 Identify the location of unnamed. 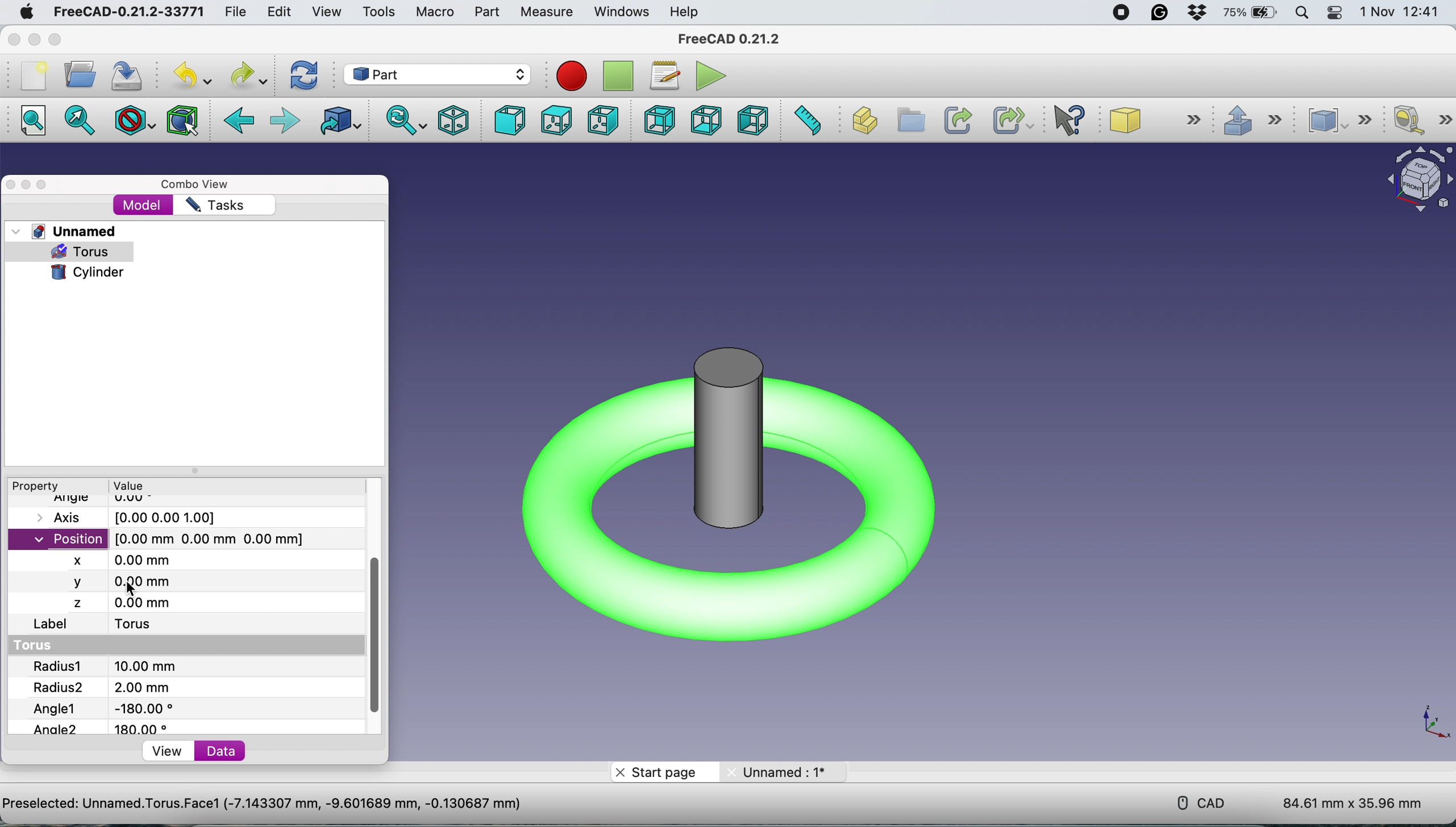
(790, 772).